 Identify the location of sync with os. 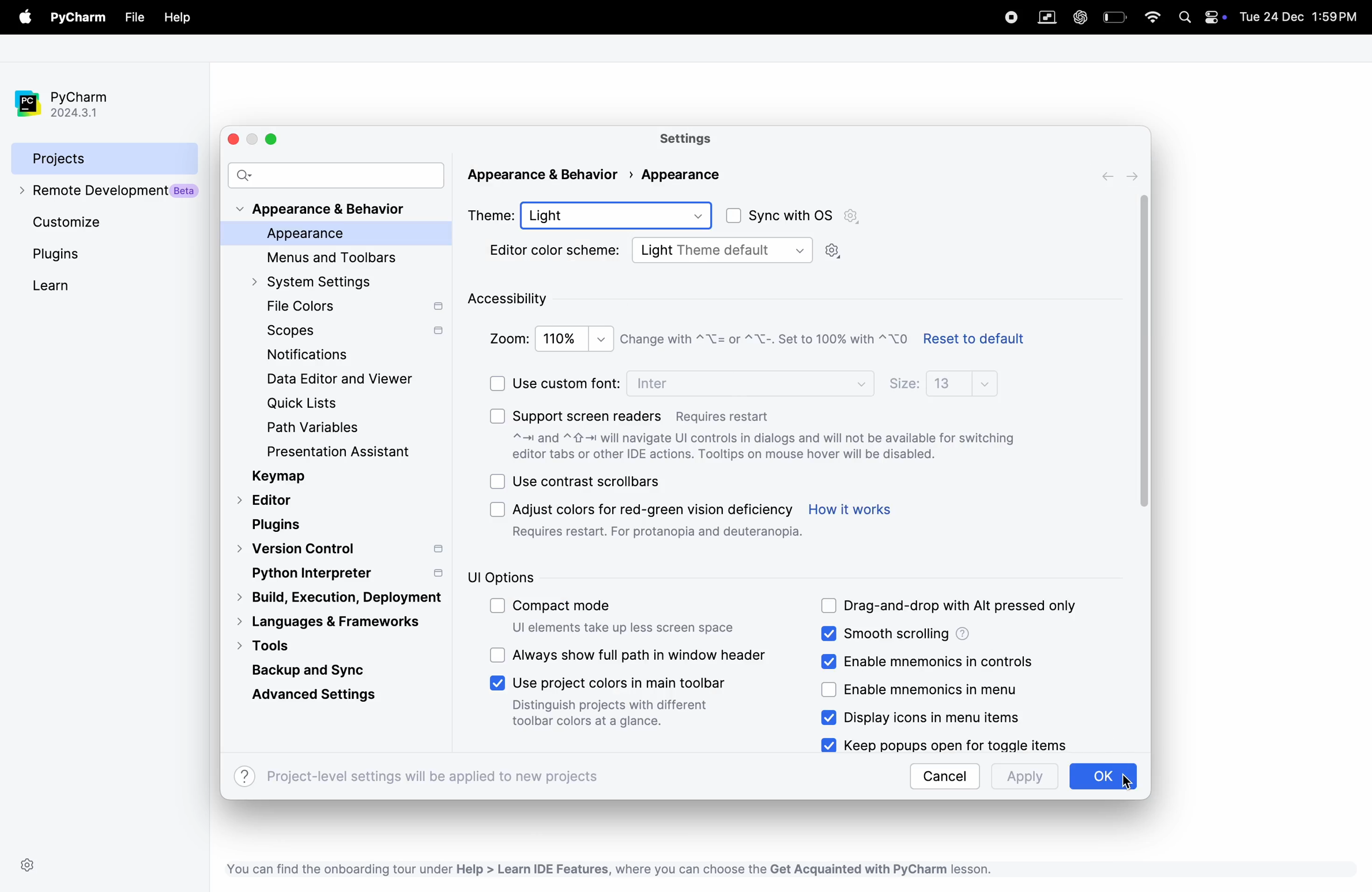
(783, 217).